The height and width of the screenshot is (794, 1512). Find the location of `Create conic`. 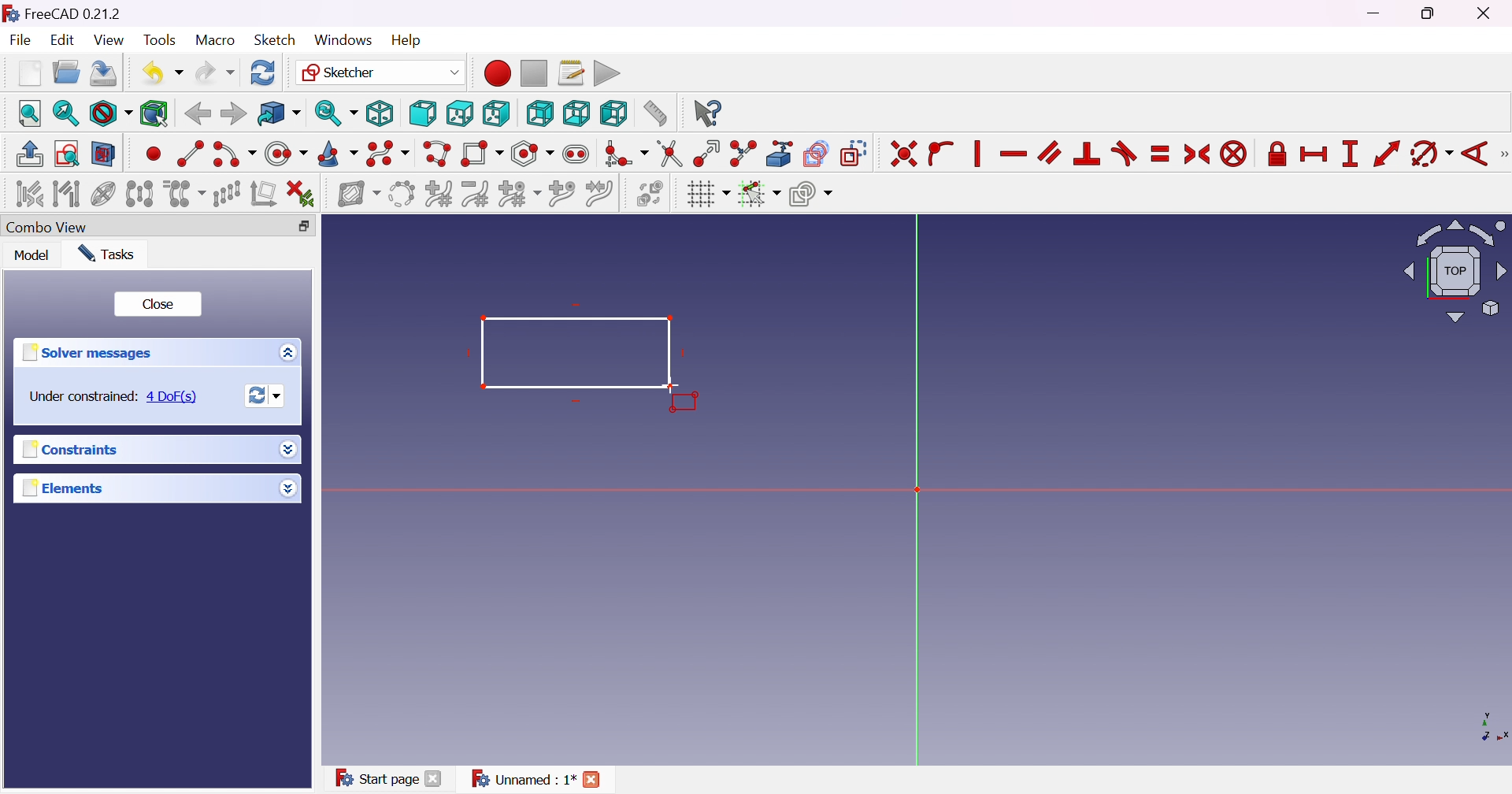

Create conic is located at coordinates (338, 154).